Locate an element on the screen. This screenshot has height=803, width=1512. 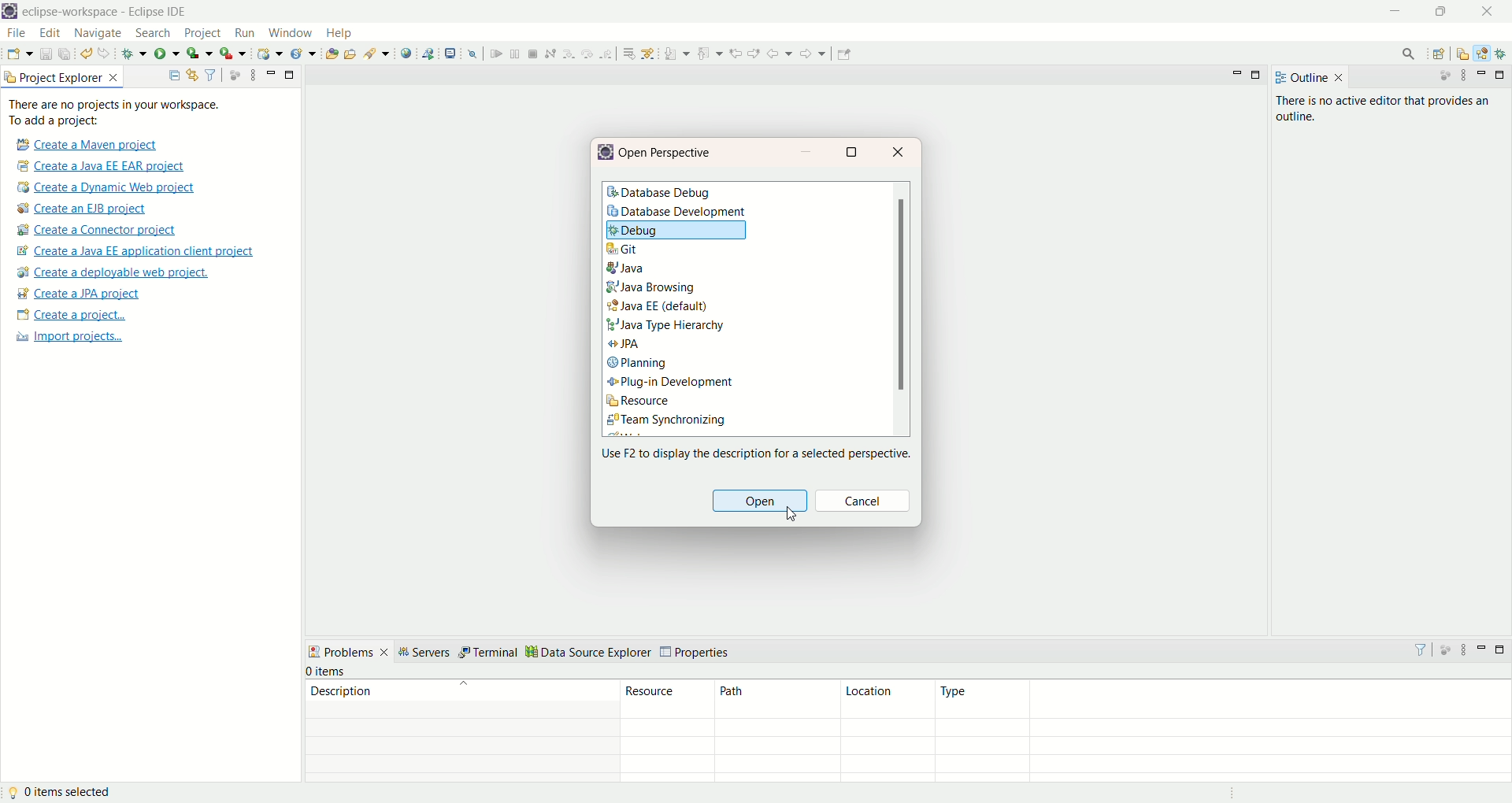
search is located at coordinates (154, 32).